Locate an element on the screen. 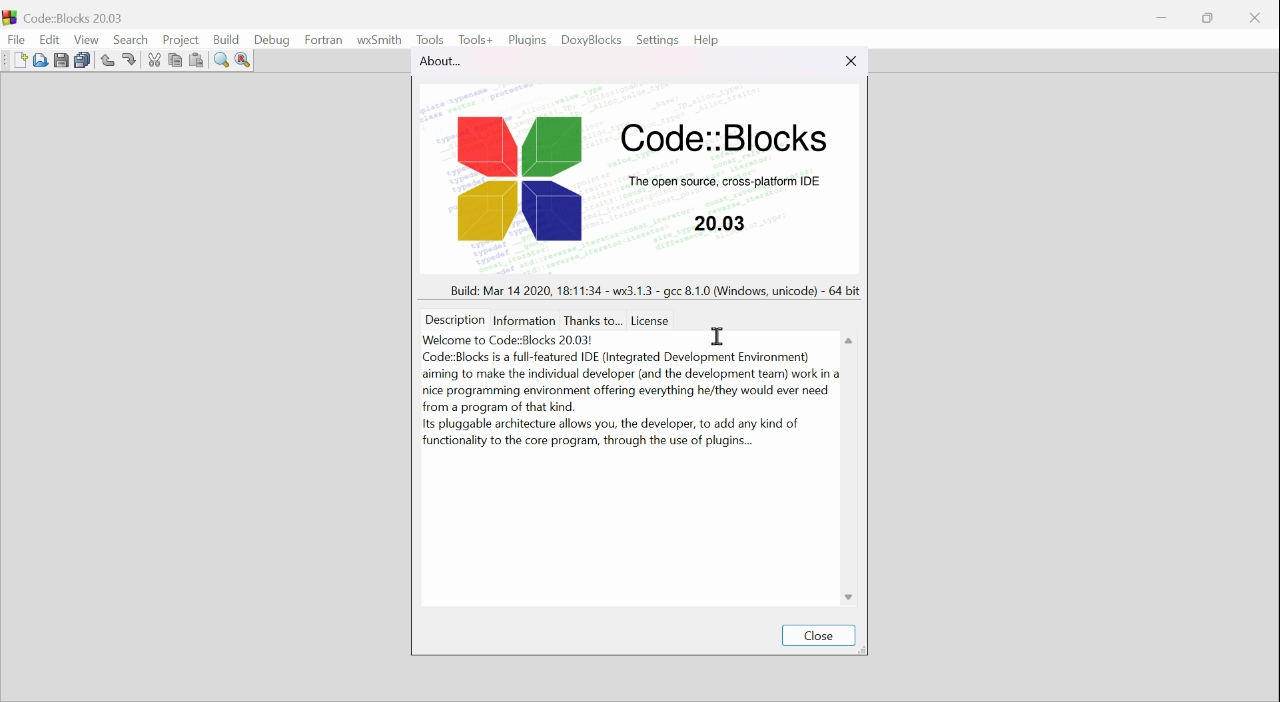 The image size is (1280, 702). View is located at coordinates (88, 42).